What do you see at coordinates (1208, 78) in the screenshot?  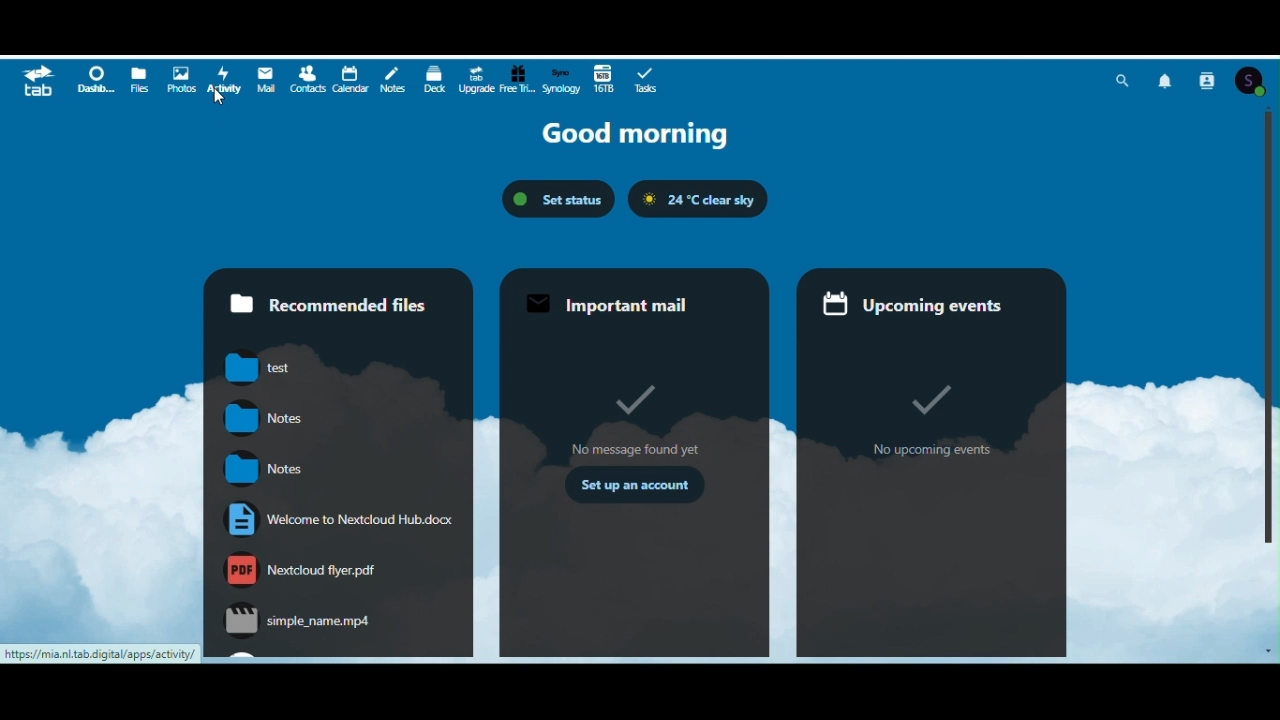 I see `Contact` at bounding box center [1208, 78].